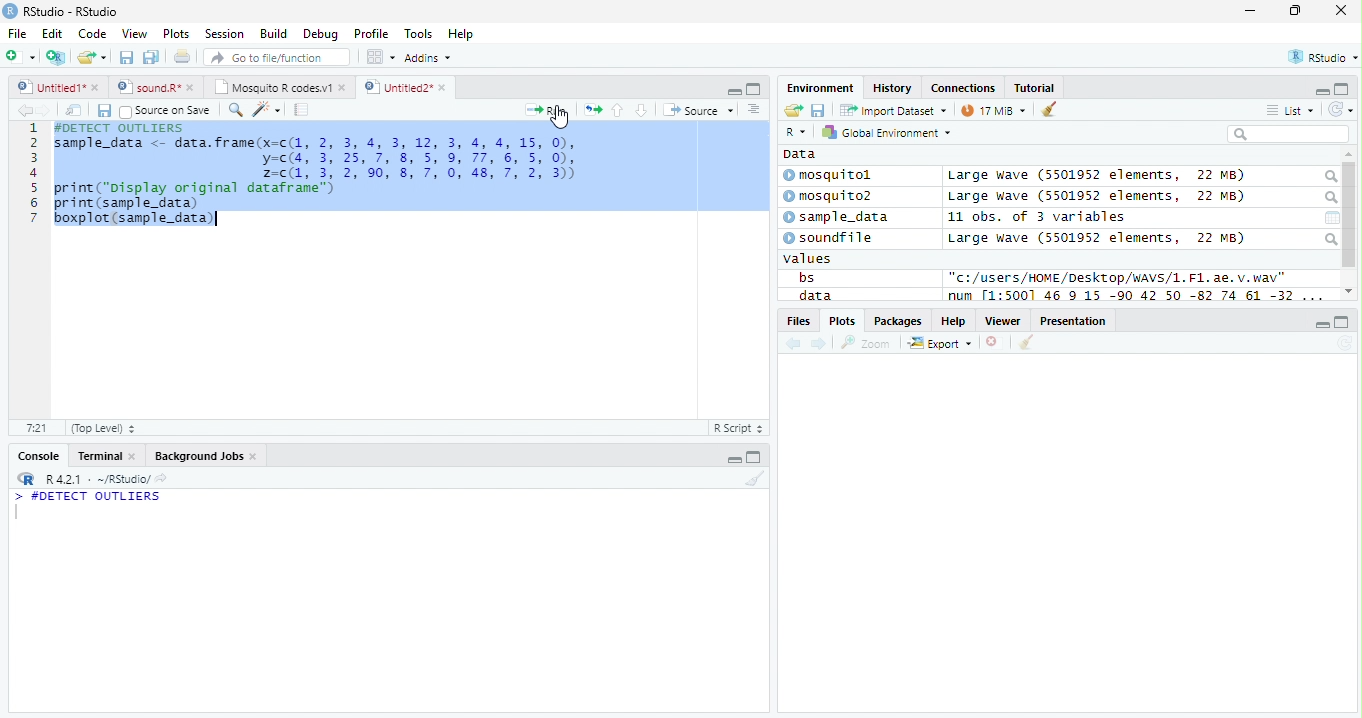 This screenshot has height=718, width=1362. Describe the element at coordinates (1350, 215) in the screenshot. I see `scroll bar` at that location.